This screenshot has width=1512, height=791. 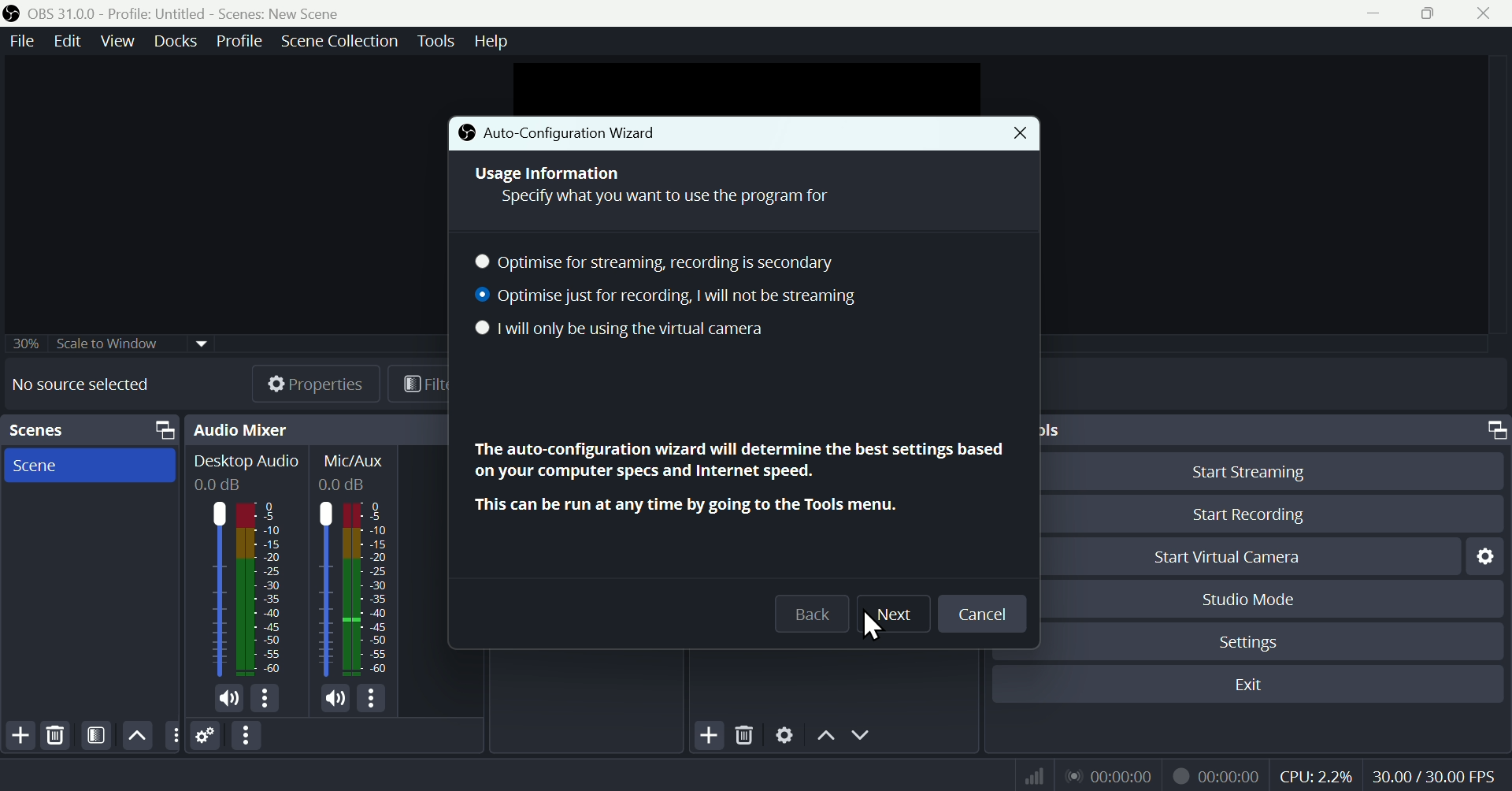 I want to click on File, so click(x=24, y=41).